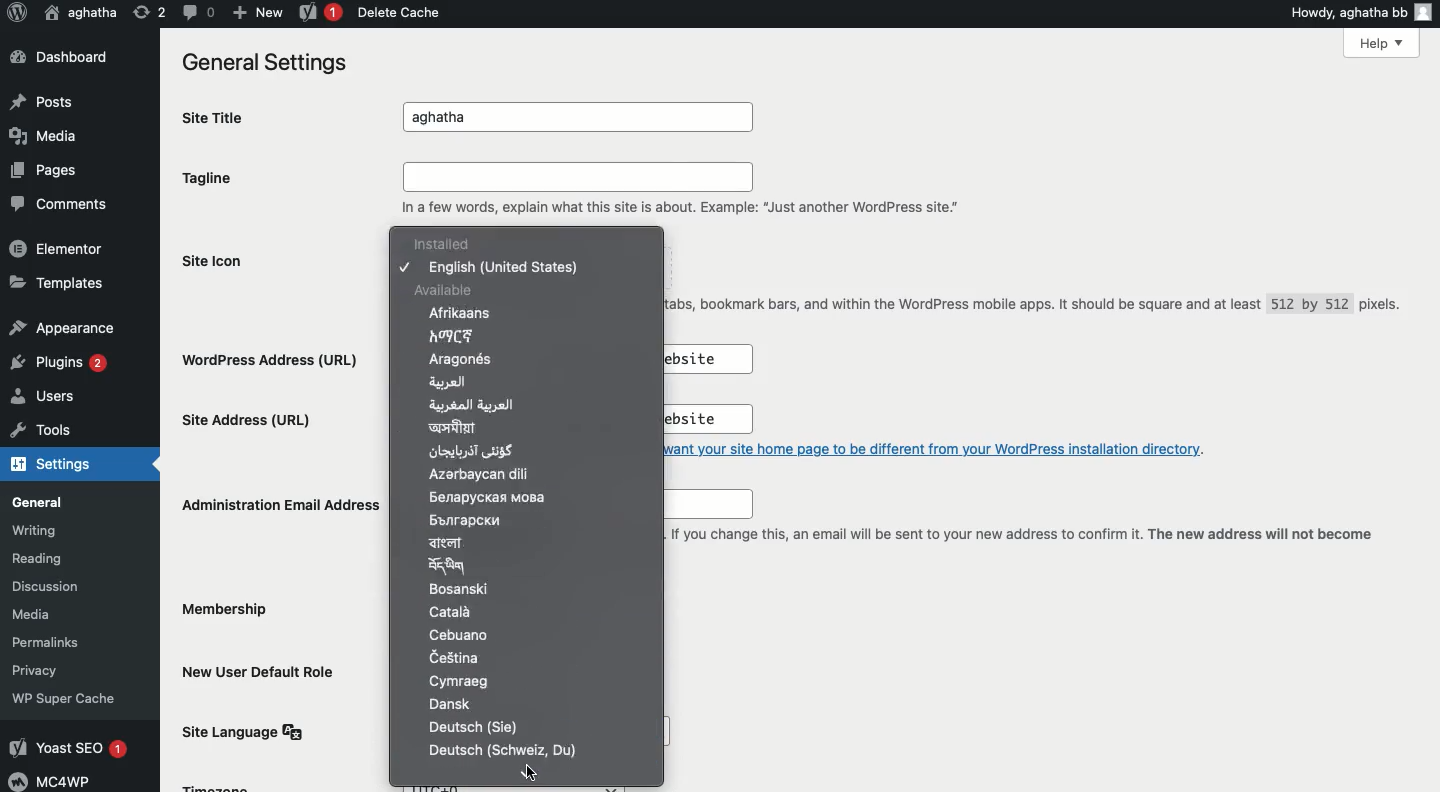  I want to click on In a few words, explain what this site is about. Example: “Just another WordPress site.", so click(687, 191).